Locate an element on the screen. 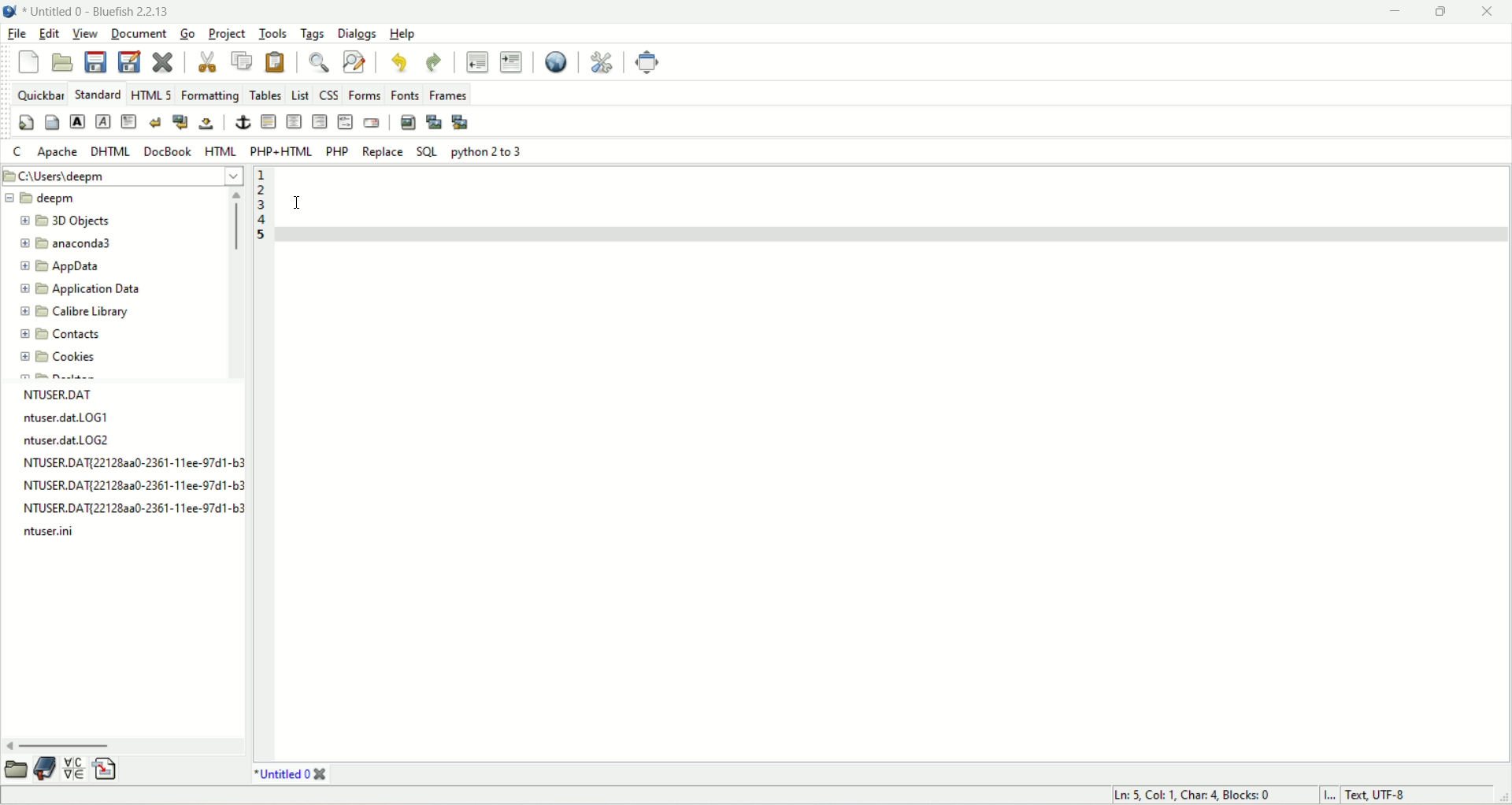  PHP is located at coordinates (334, 151).